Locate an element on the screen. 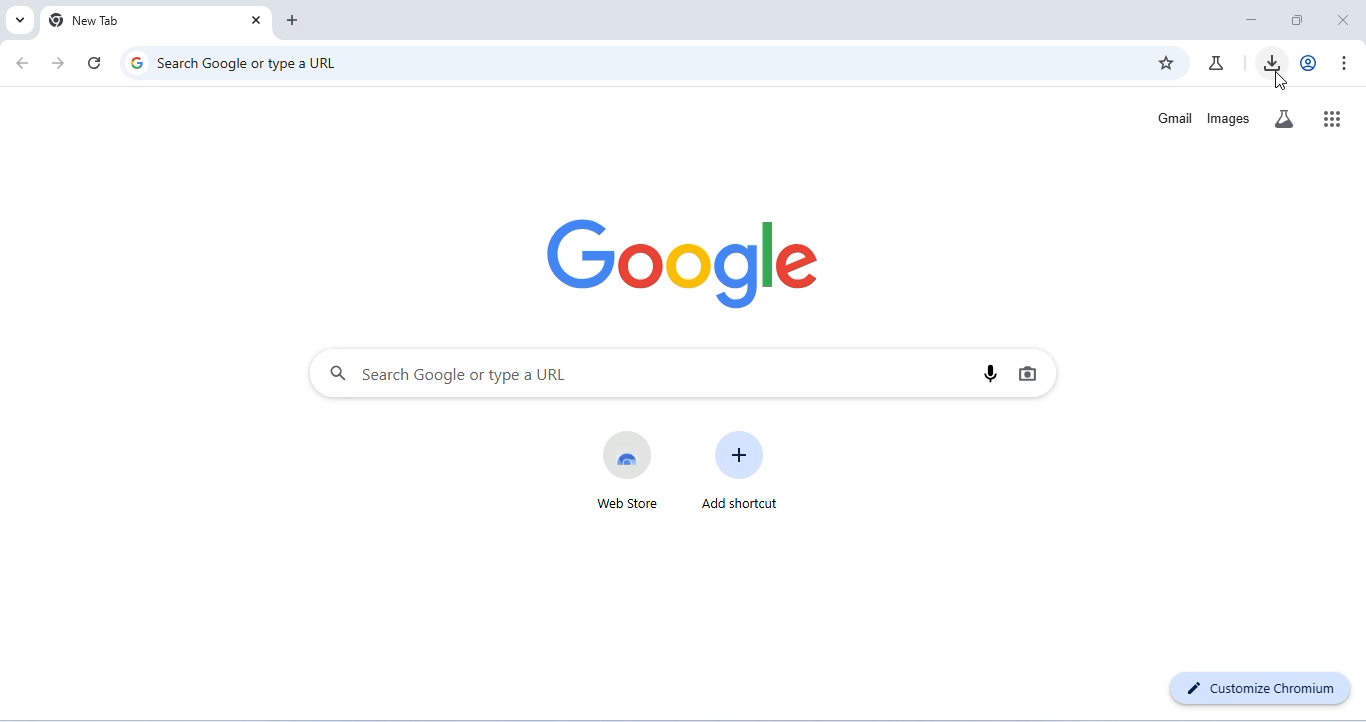 This screenshot has height=722, width=1366. gmail is located at coordinates (1175, 118).